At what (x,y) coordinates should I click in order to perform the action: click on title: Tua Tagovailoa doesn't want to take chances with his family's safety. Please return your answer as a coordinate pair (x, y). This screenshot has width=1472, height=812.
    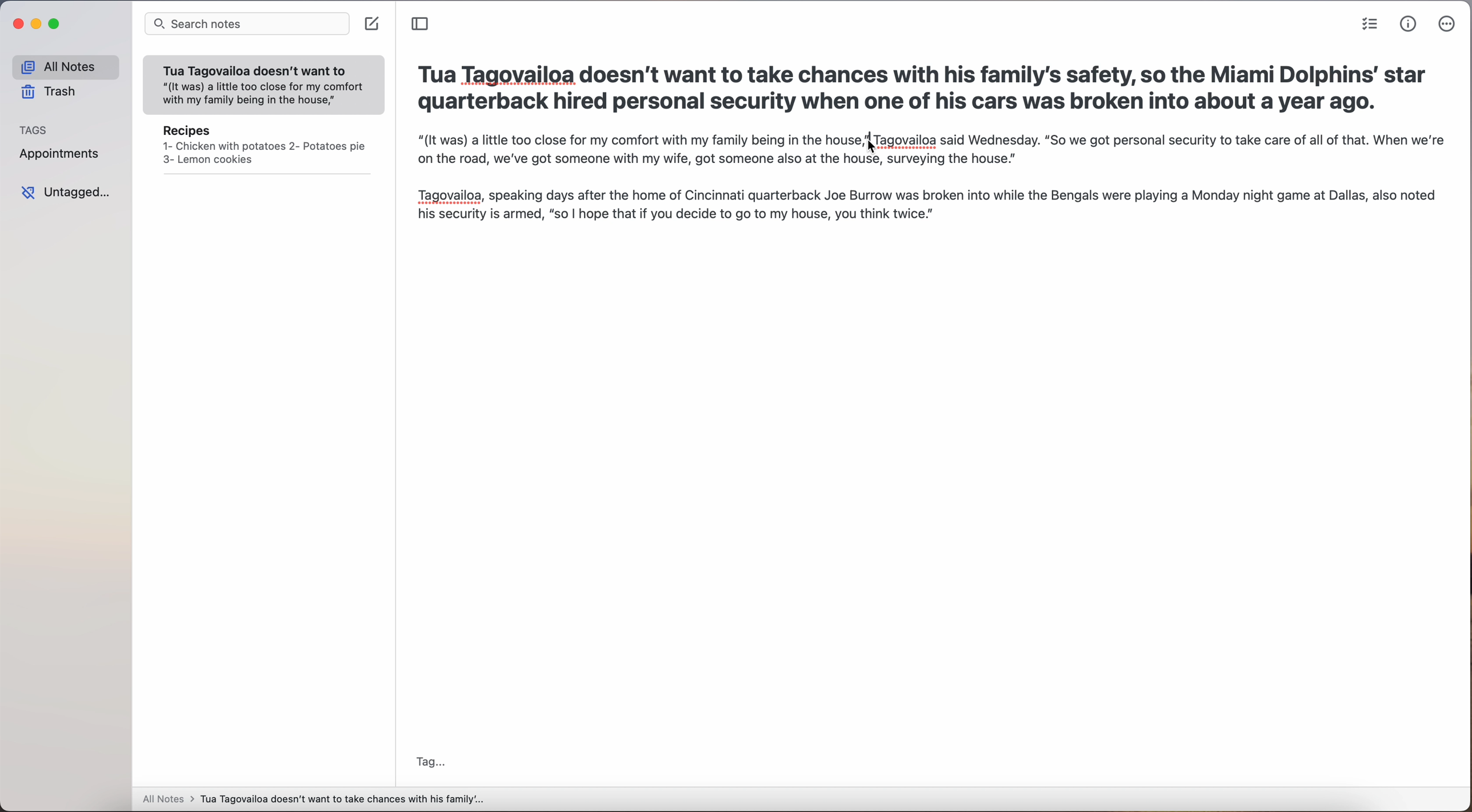
    Looking at the image, I should click on (923, 91).